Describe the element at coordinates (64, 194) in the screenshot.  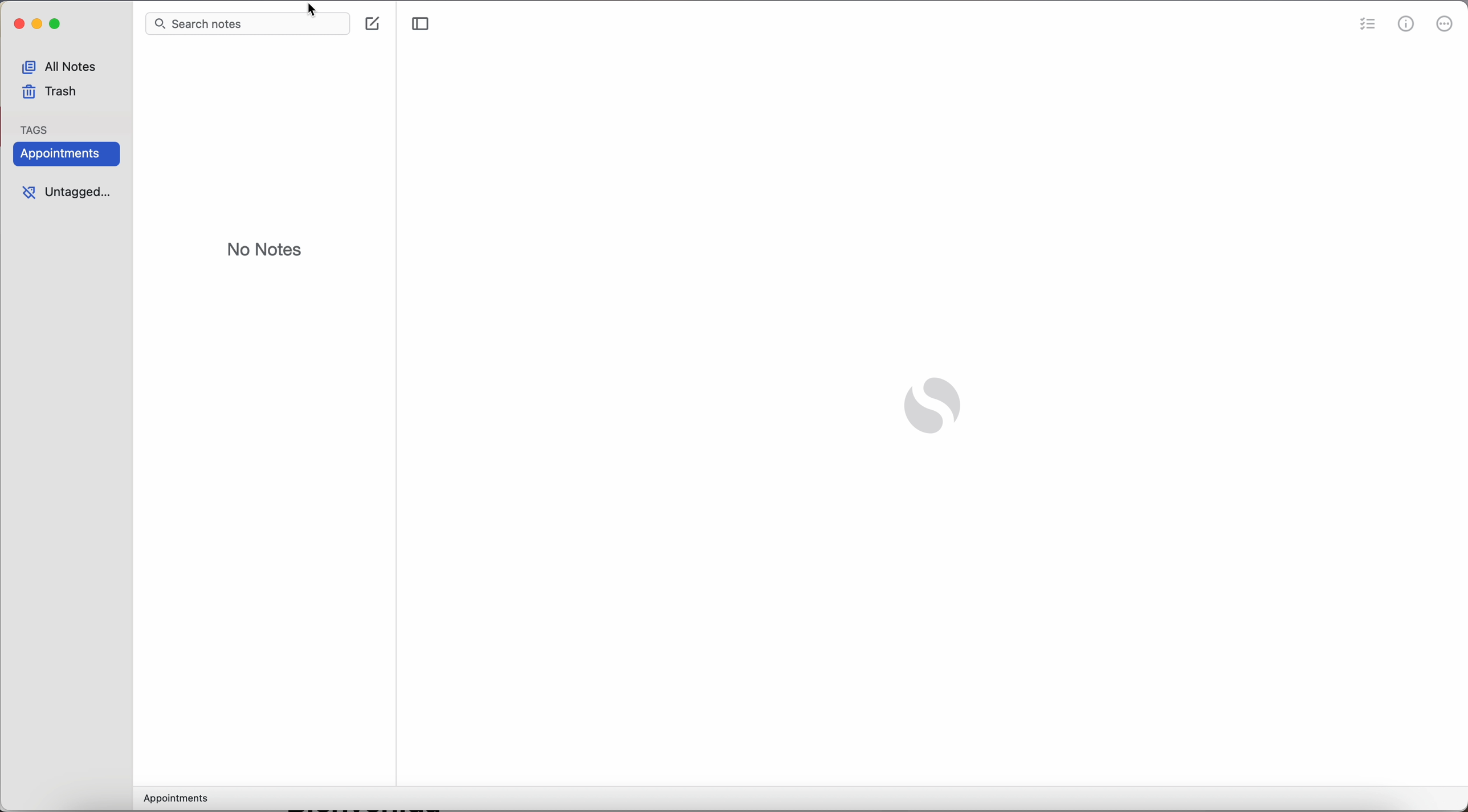
I see `untagged` at that location.